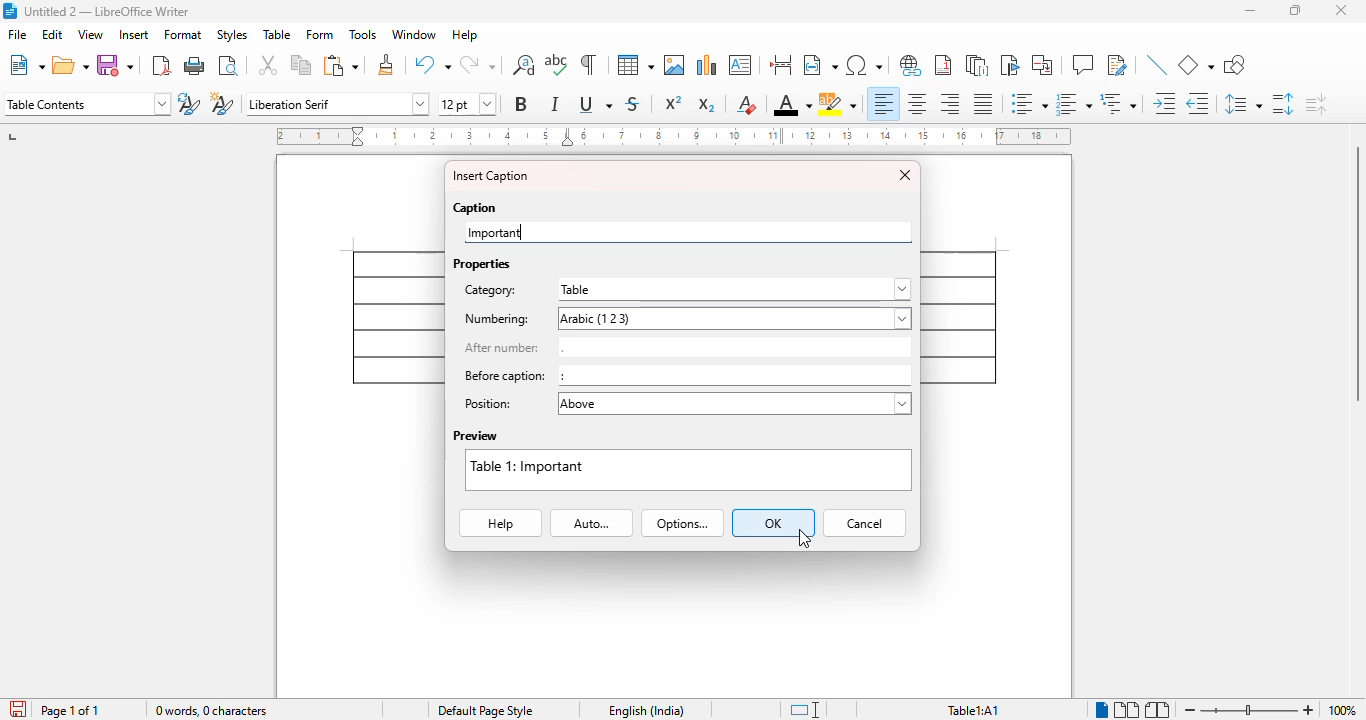  What do you see at coordinates (595, 103) in the screenshot?
I see `underline` at bounding box center [595, 103].